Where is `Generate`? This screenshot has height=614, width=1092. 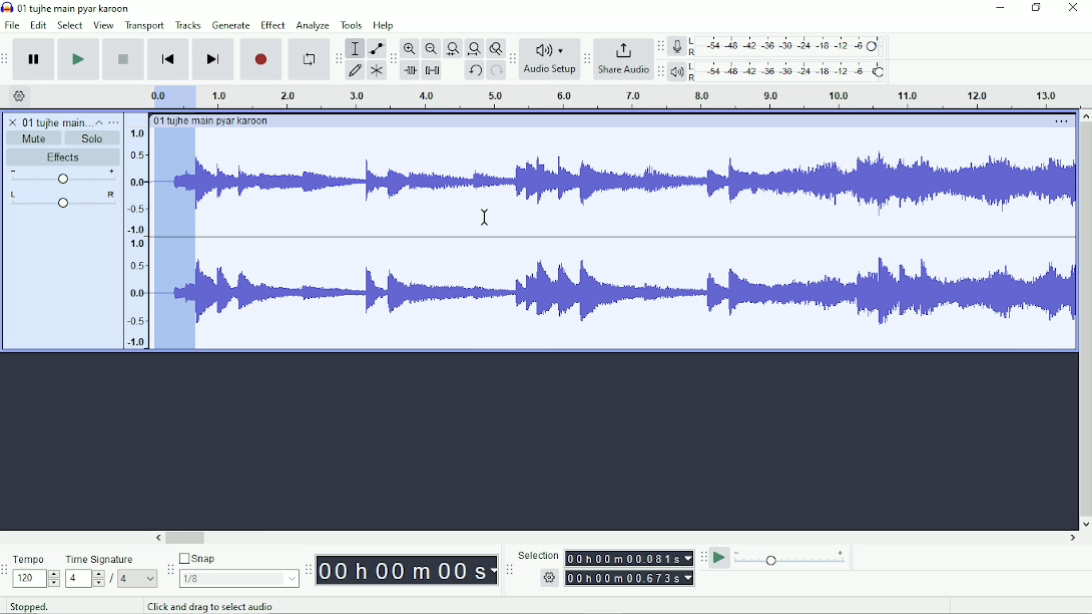
Generate is located at coordinates (231, 25).